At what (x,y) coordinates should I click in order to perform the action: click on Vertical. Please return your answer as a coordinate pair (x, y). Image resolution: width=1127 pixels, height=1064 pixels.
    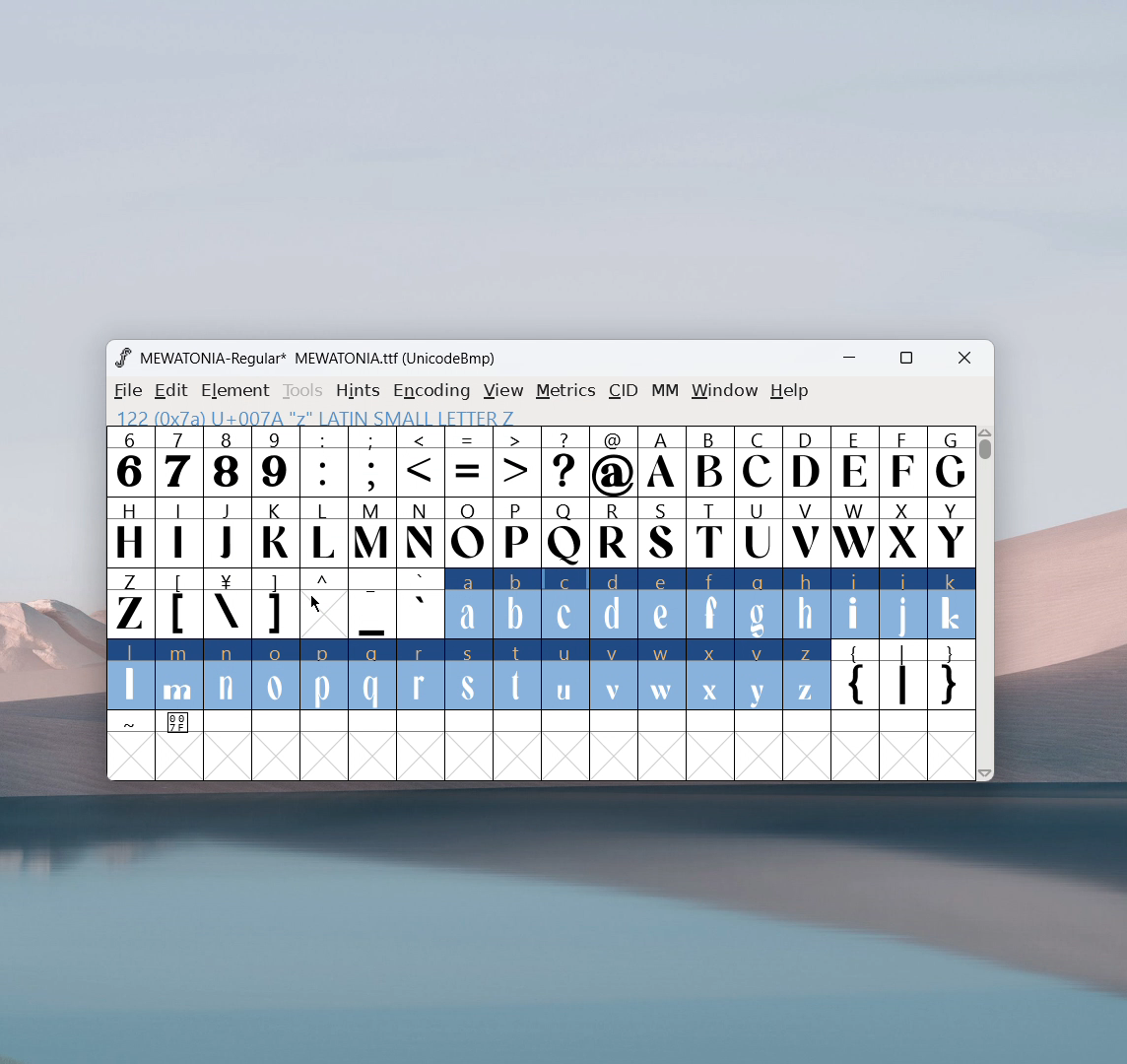
    Looking at the image, I should click on (986, 601).